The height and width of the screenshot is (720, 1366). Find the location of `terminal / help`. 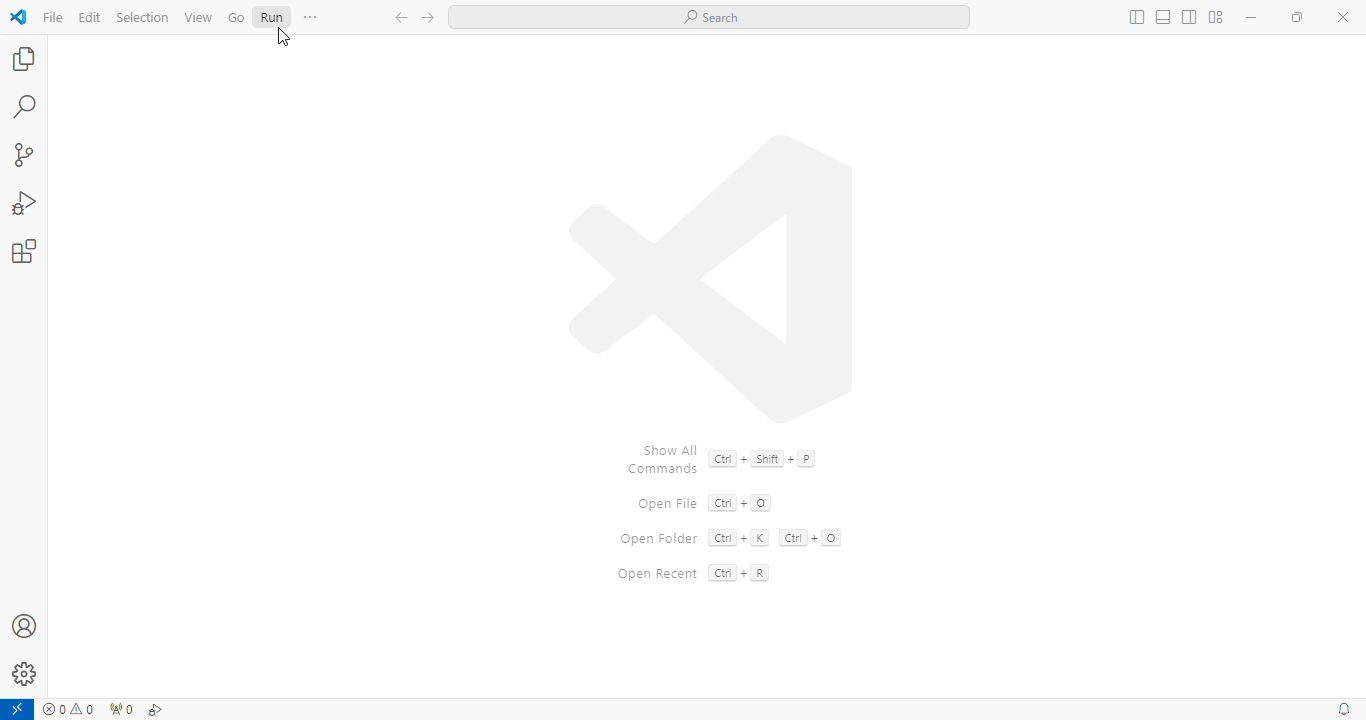

terminal / help is located at coordinates (311, 17).